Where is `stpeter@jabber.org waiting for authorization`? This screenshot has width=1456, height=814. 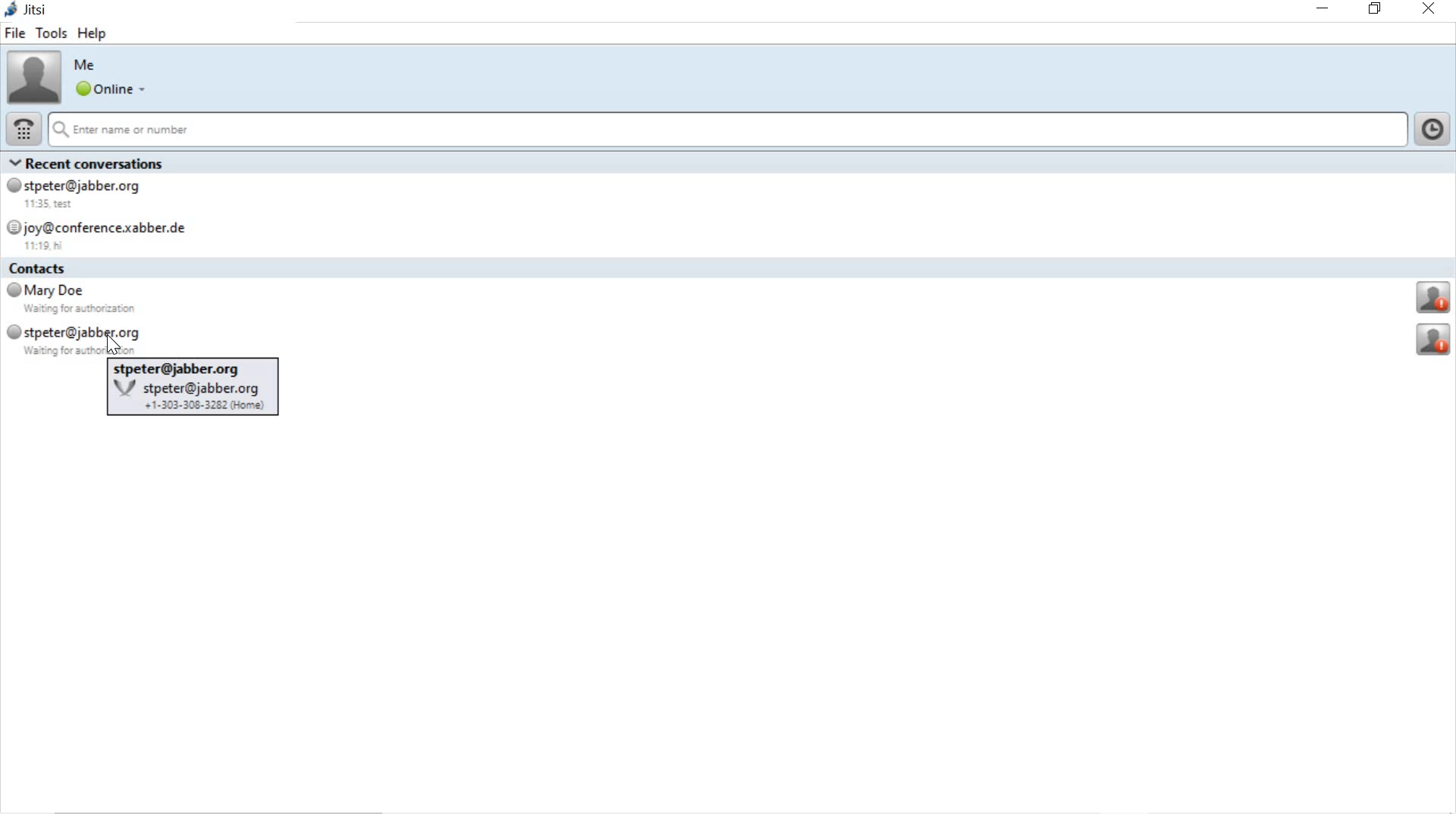
stpeter@jabber.org waiting for authorization is located at coordinates (74, 340).